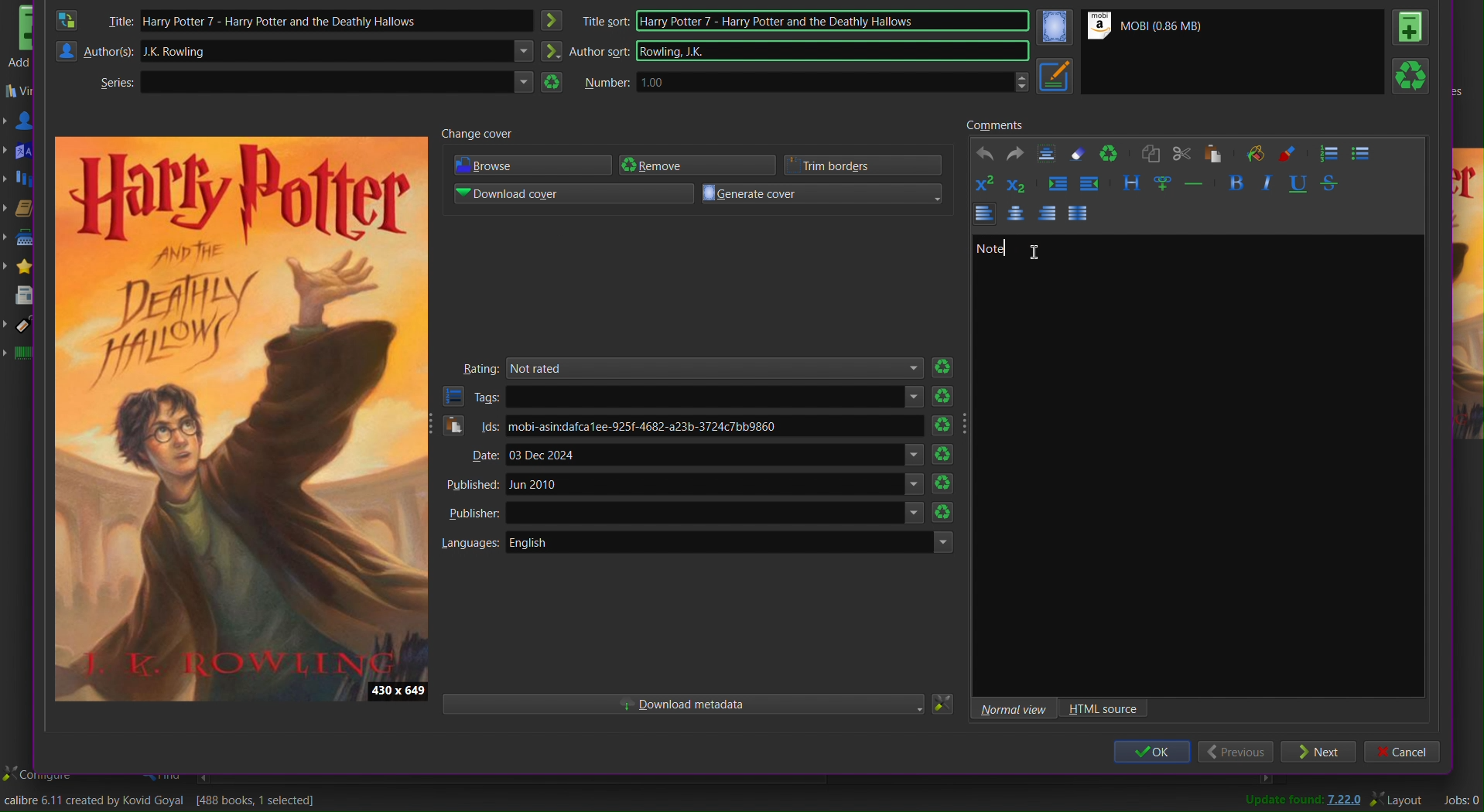 The width and height of the screenshot is (1484, 812). What do you see at coordinates (1045, 214) in the screenshot?
I see `Left Align` at bounding box center [1045, 214].